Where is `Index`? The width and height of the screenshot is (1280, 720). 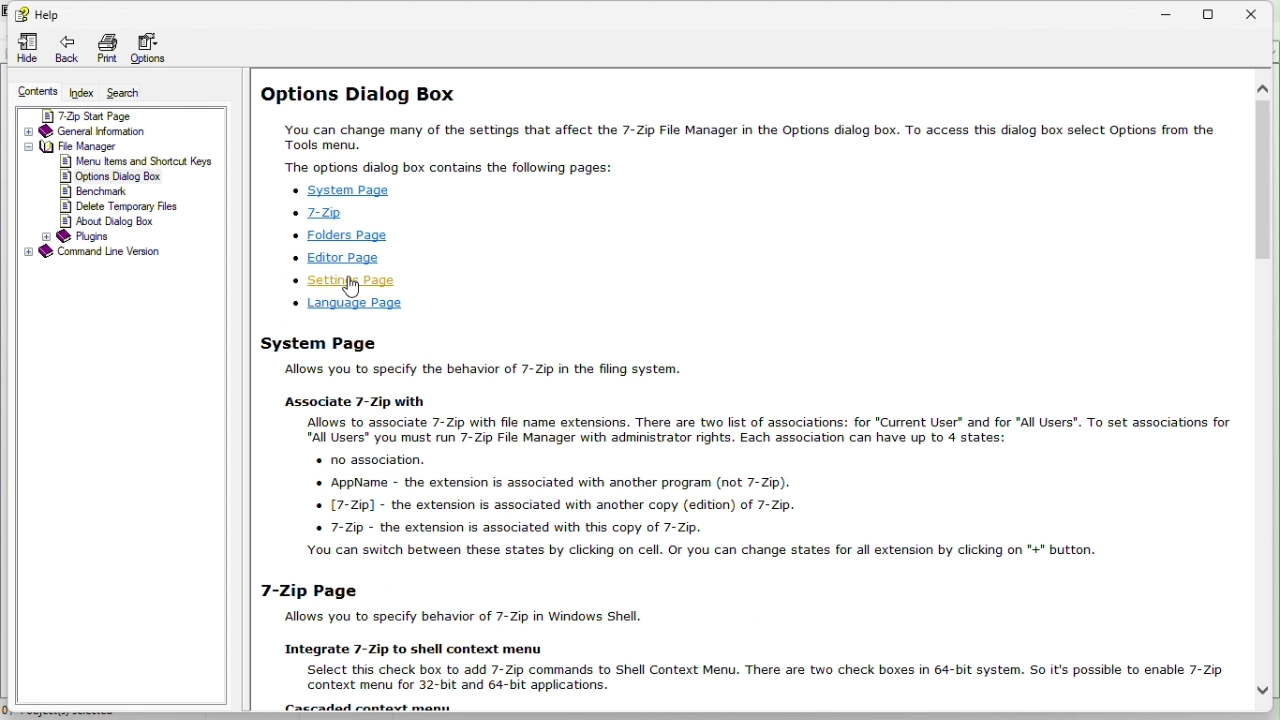 Index is located at coordinates (83, 93).